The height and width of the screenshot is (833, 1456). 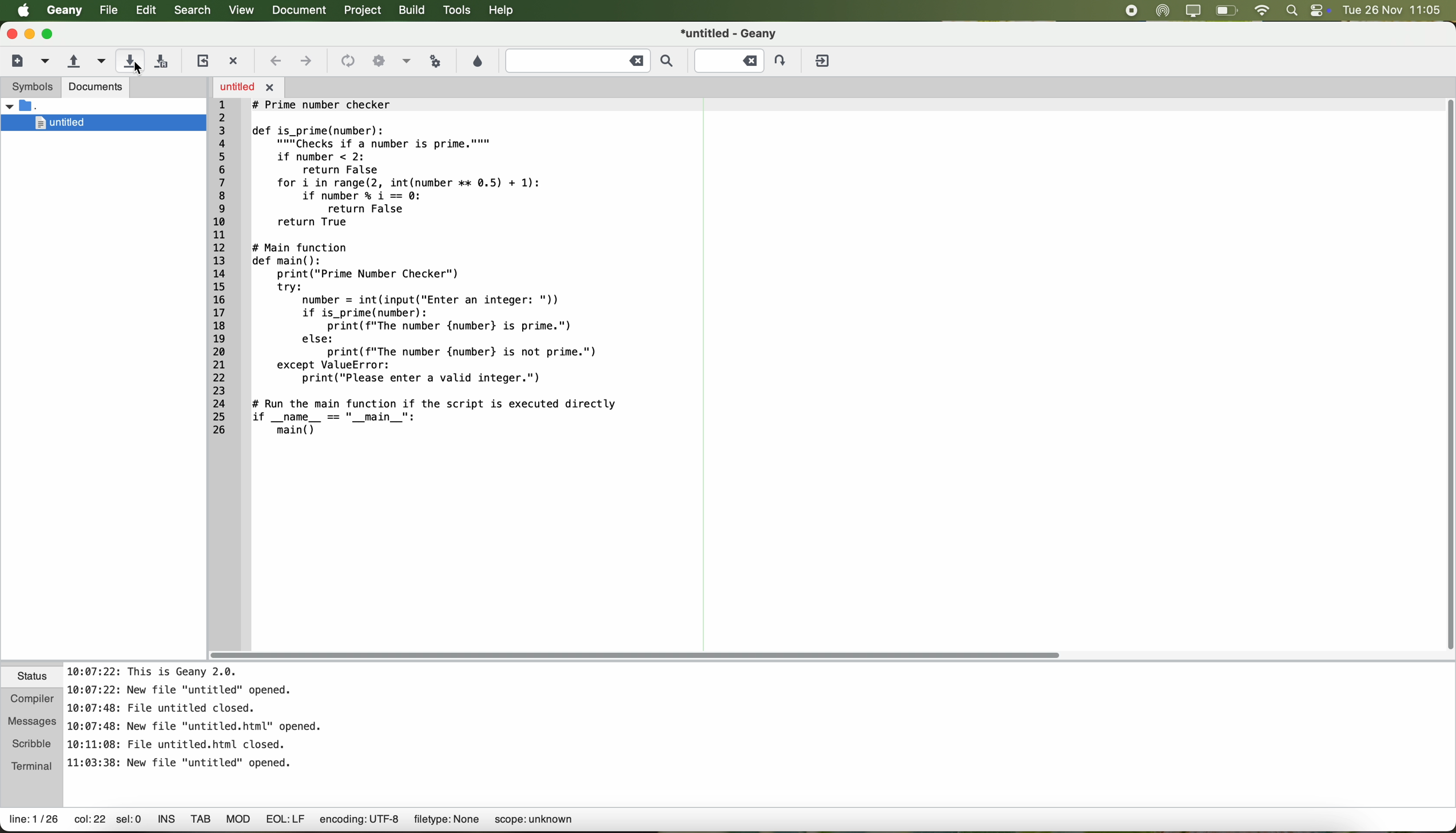 What do you see at coordinates (192, 11) in the screenshot?
I see `search` at bounding box center [192, 11].